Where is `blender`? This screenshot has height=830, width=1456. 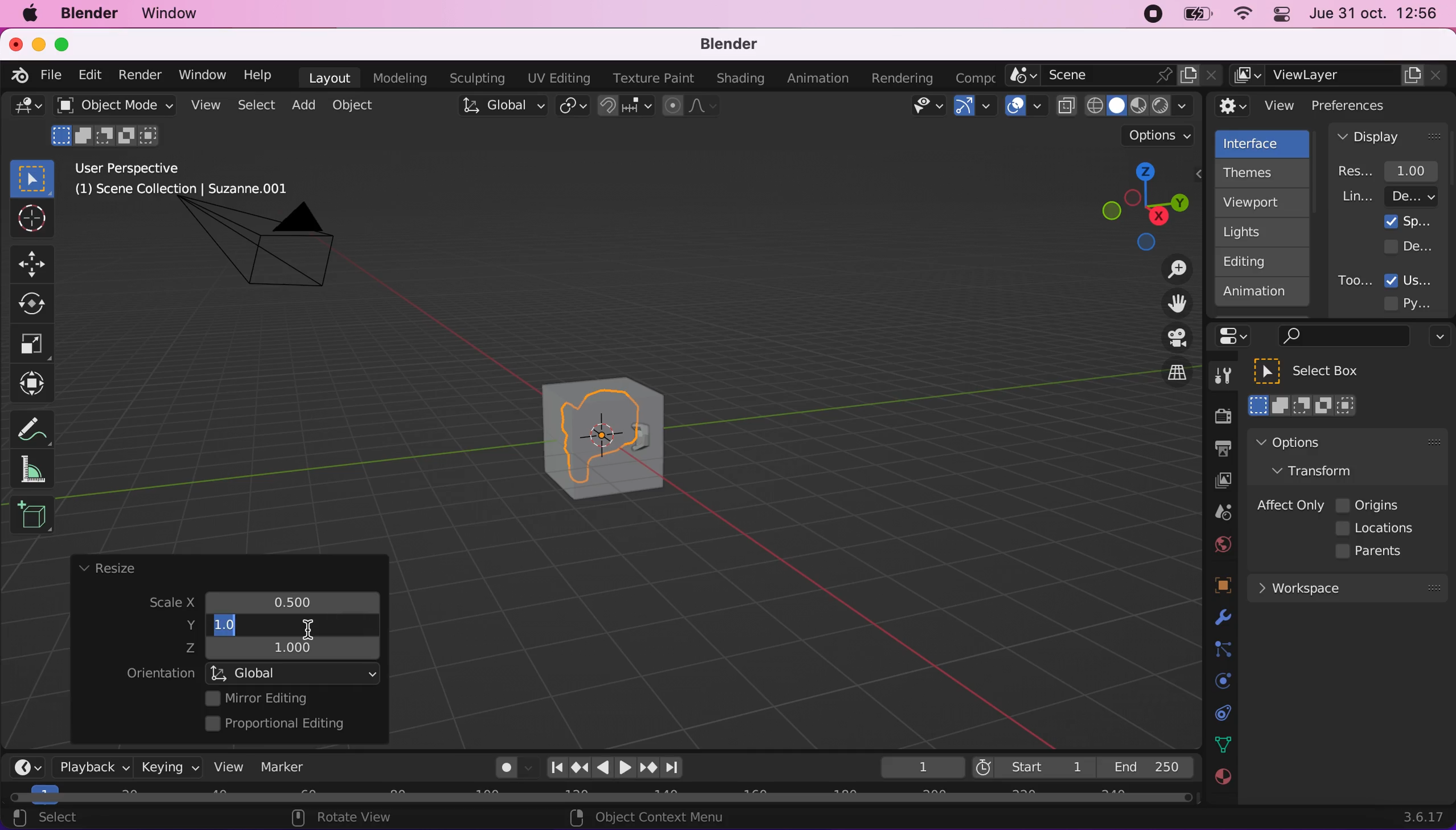
blender is located at coordinates (88, 14).